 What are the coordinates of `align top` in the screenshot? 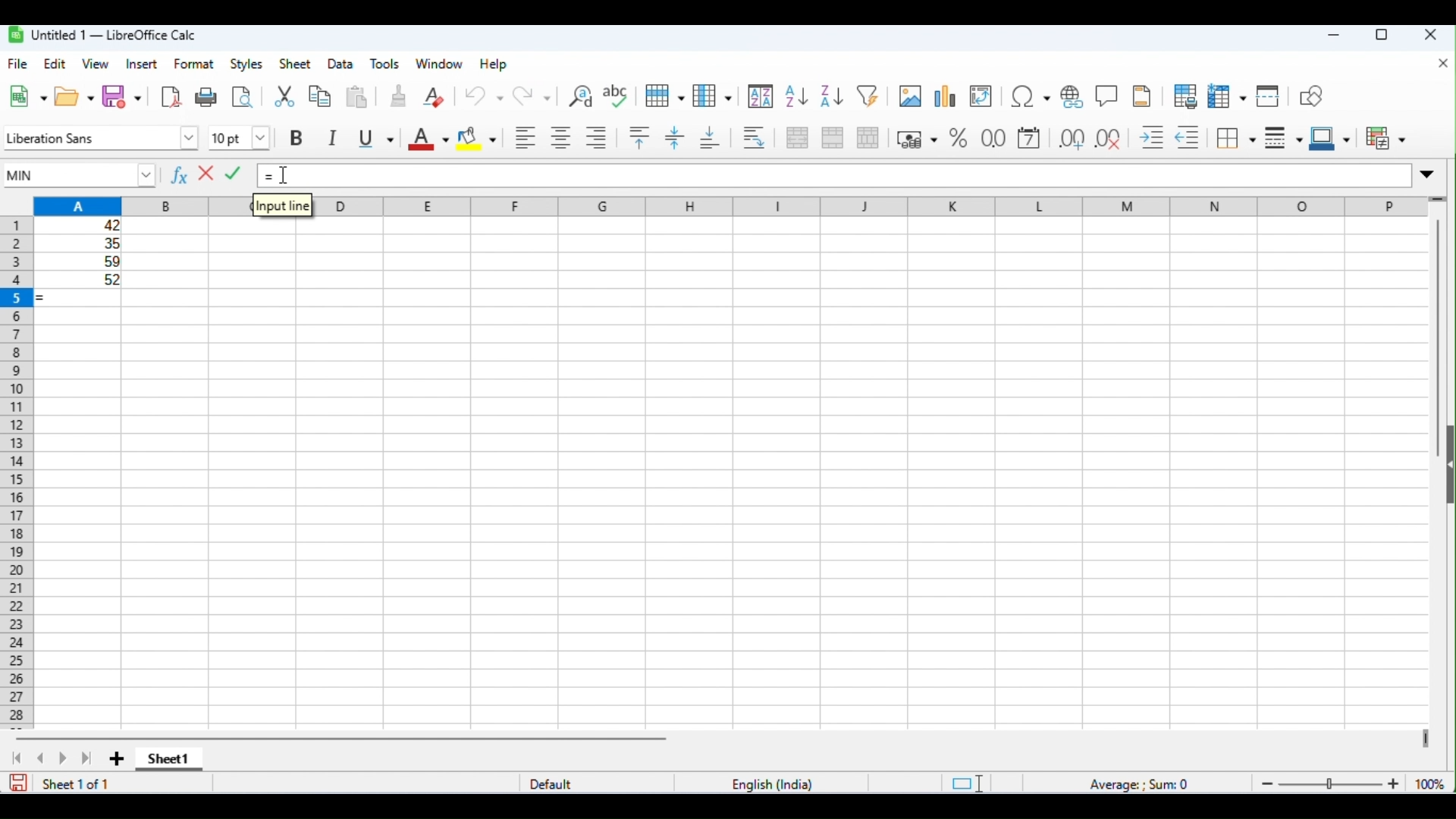 It's located at (642, 137).